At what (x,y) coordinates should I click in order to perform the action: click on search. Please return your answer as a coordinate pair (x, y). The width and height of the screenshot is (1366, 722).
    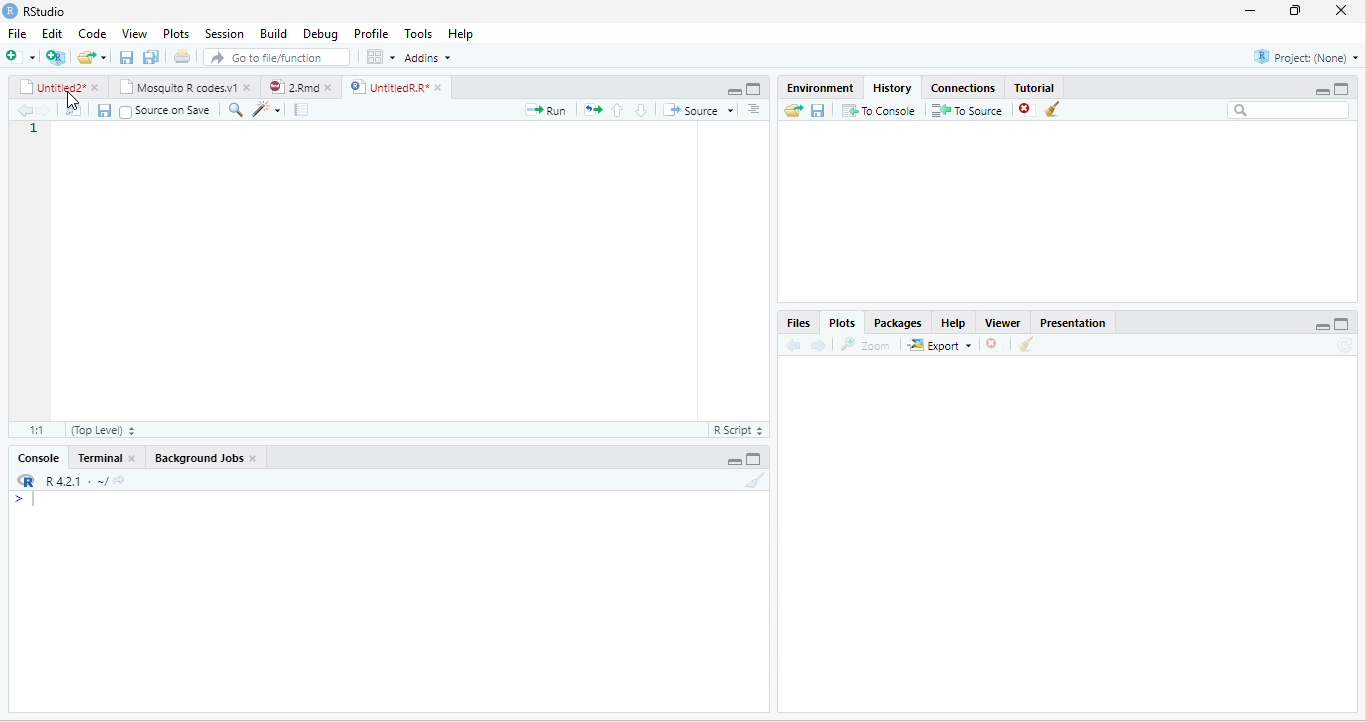
    Looking at the image, I should click on (237, 110).